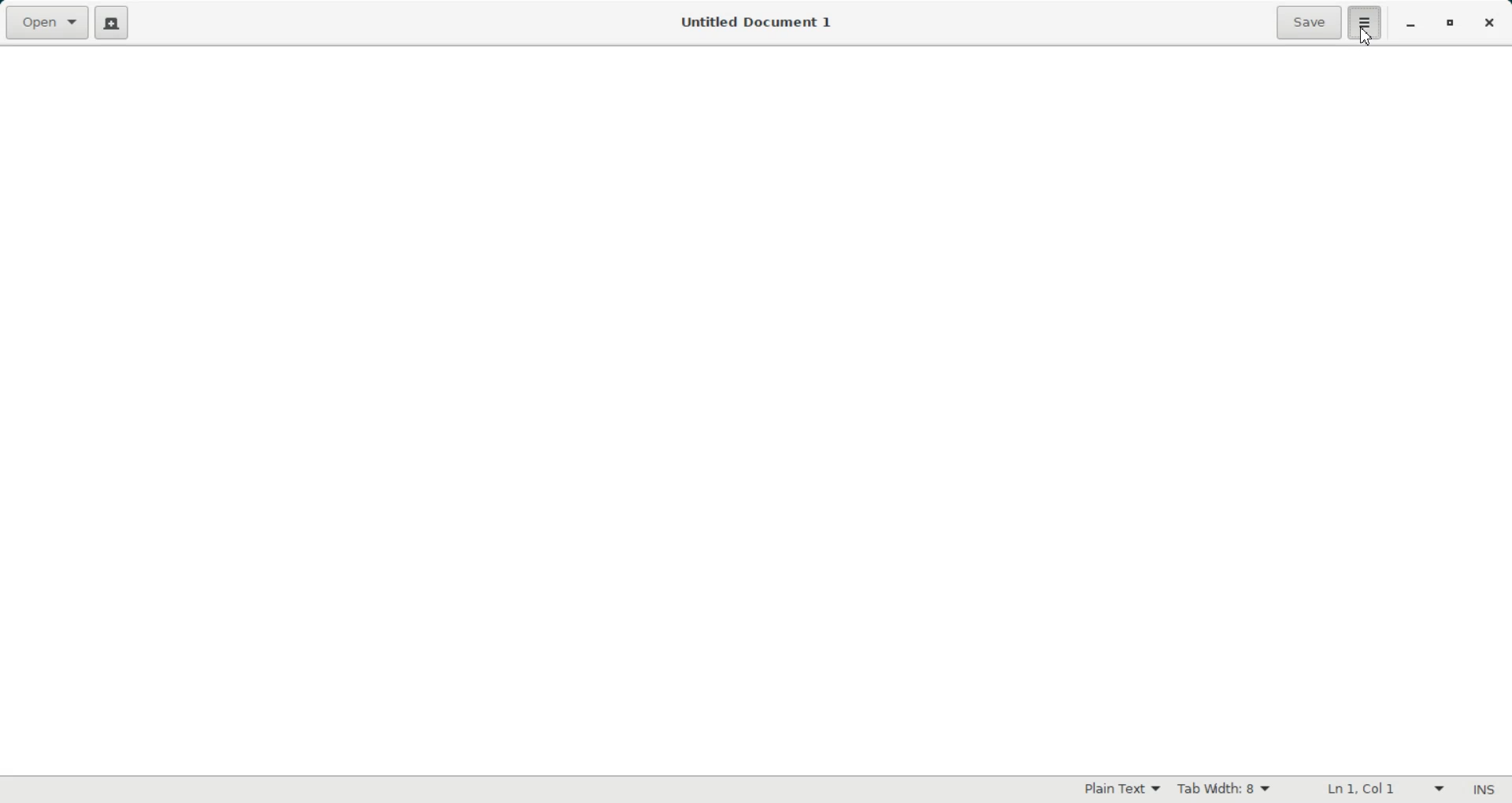 This screenshot has width=1512, height=803. I want to click on Maximize, so click(1449, 24).